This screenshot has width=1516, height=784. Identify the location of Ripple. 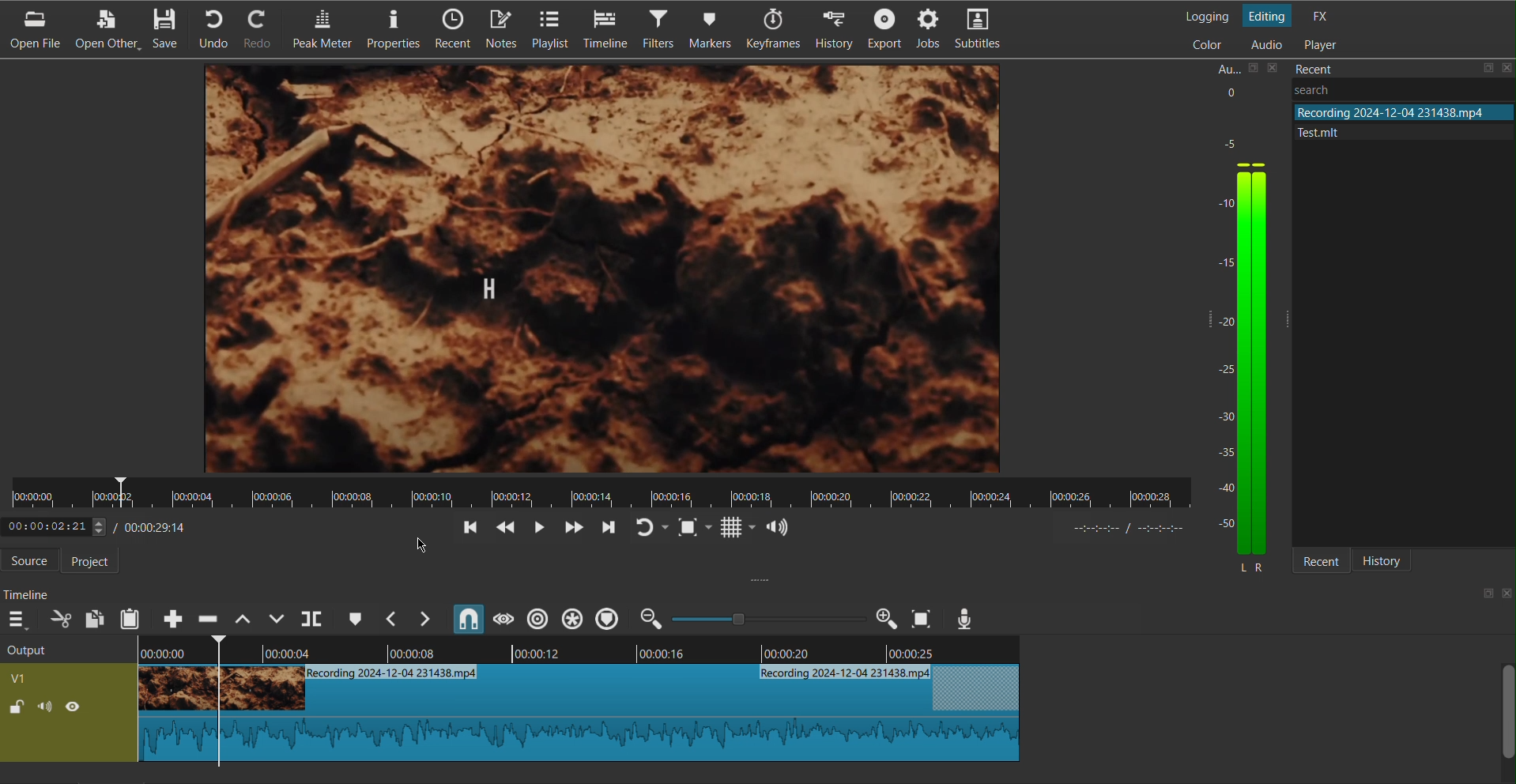
(539, 618).